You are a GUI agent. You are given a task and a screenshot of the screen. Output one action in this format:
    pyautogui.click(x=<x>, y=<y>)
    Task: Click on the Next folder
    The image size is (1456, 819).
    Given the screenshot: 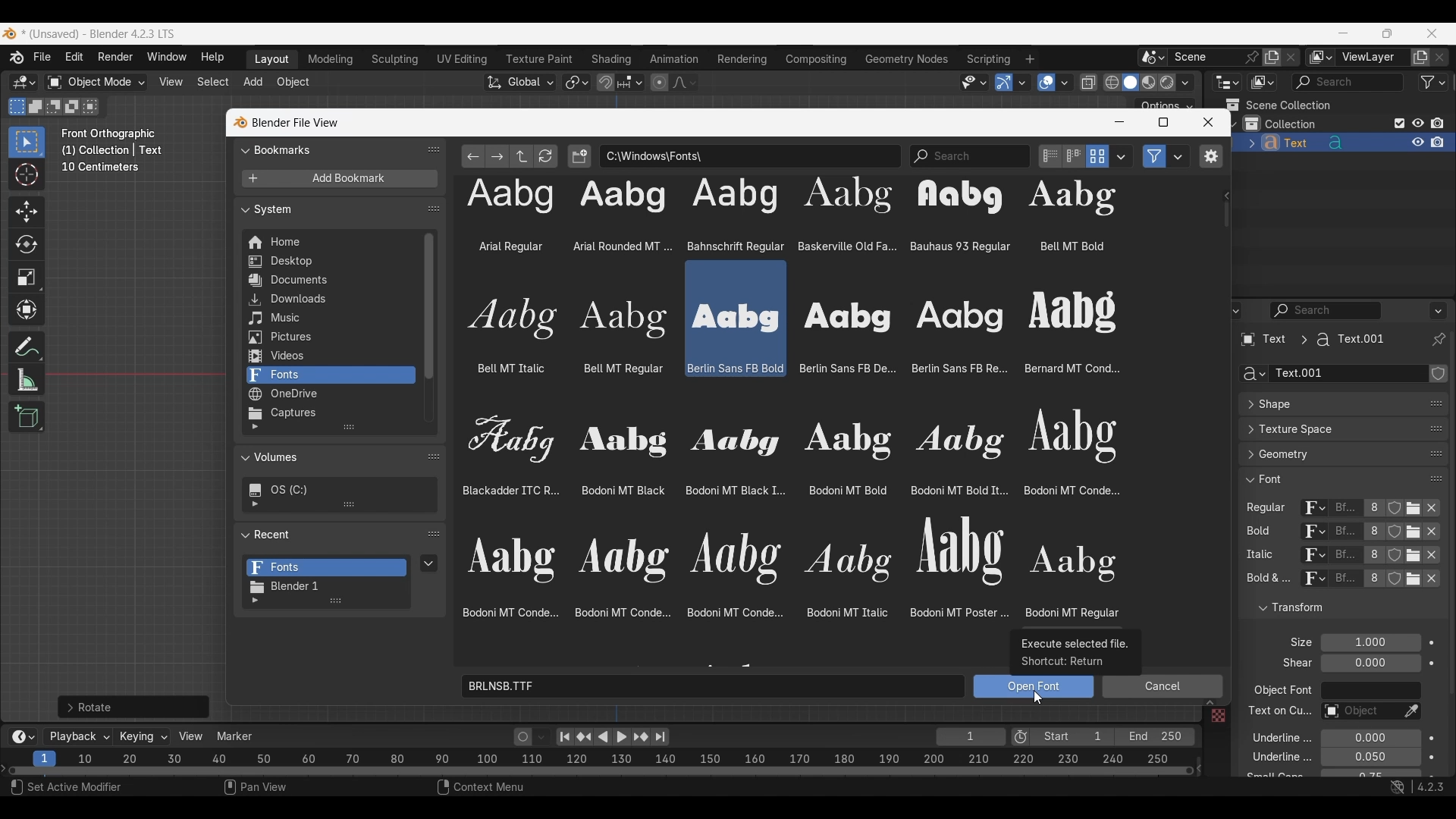 What is the action you would take?
    pyautogui.click(x=497, y=156)
    